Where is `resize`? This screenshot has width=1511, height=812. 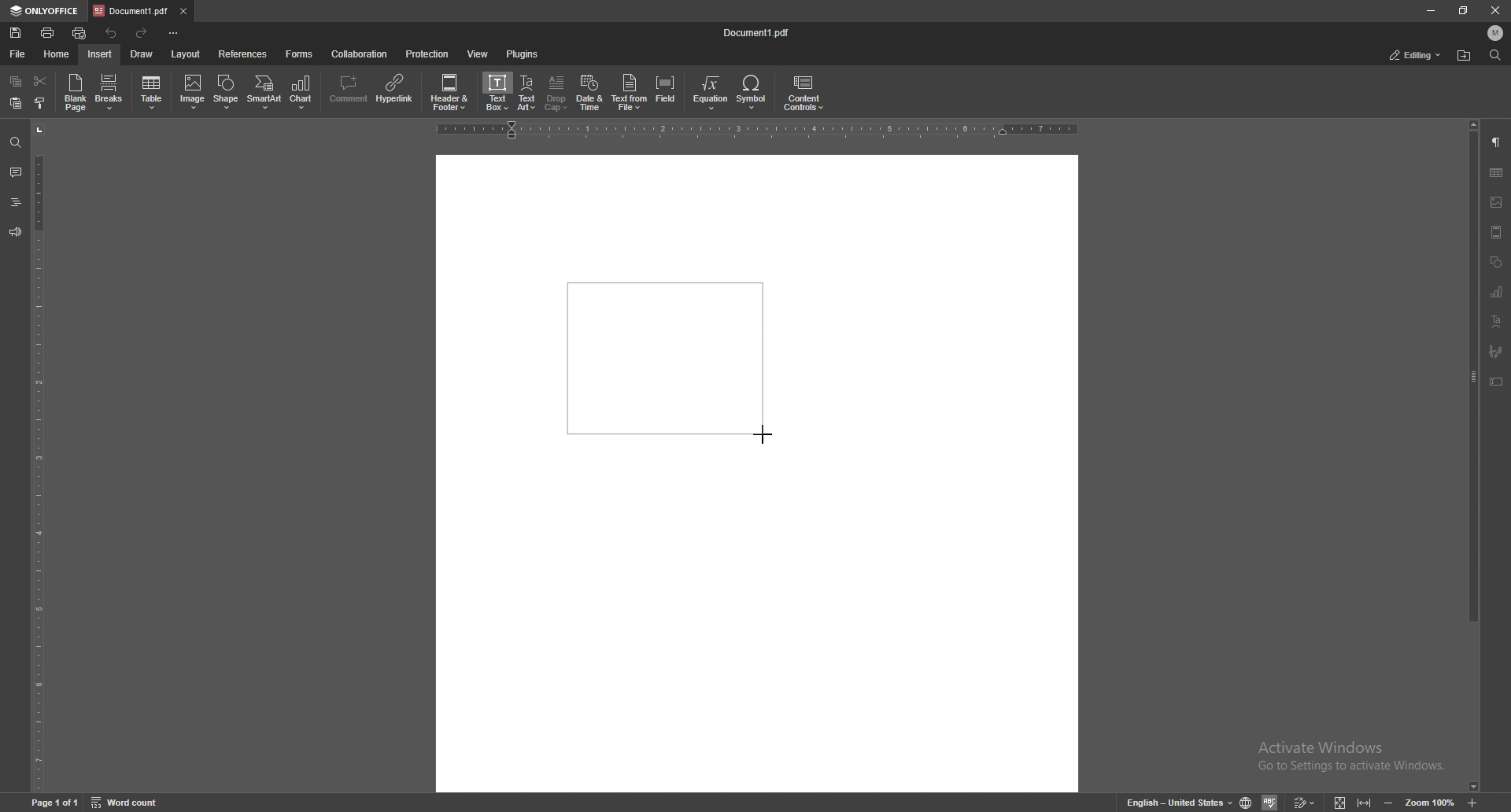 resize is located at coordinates (1462, 11).